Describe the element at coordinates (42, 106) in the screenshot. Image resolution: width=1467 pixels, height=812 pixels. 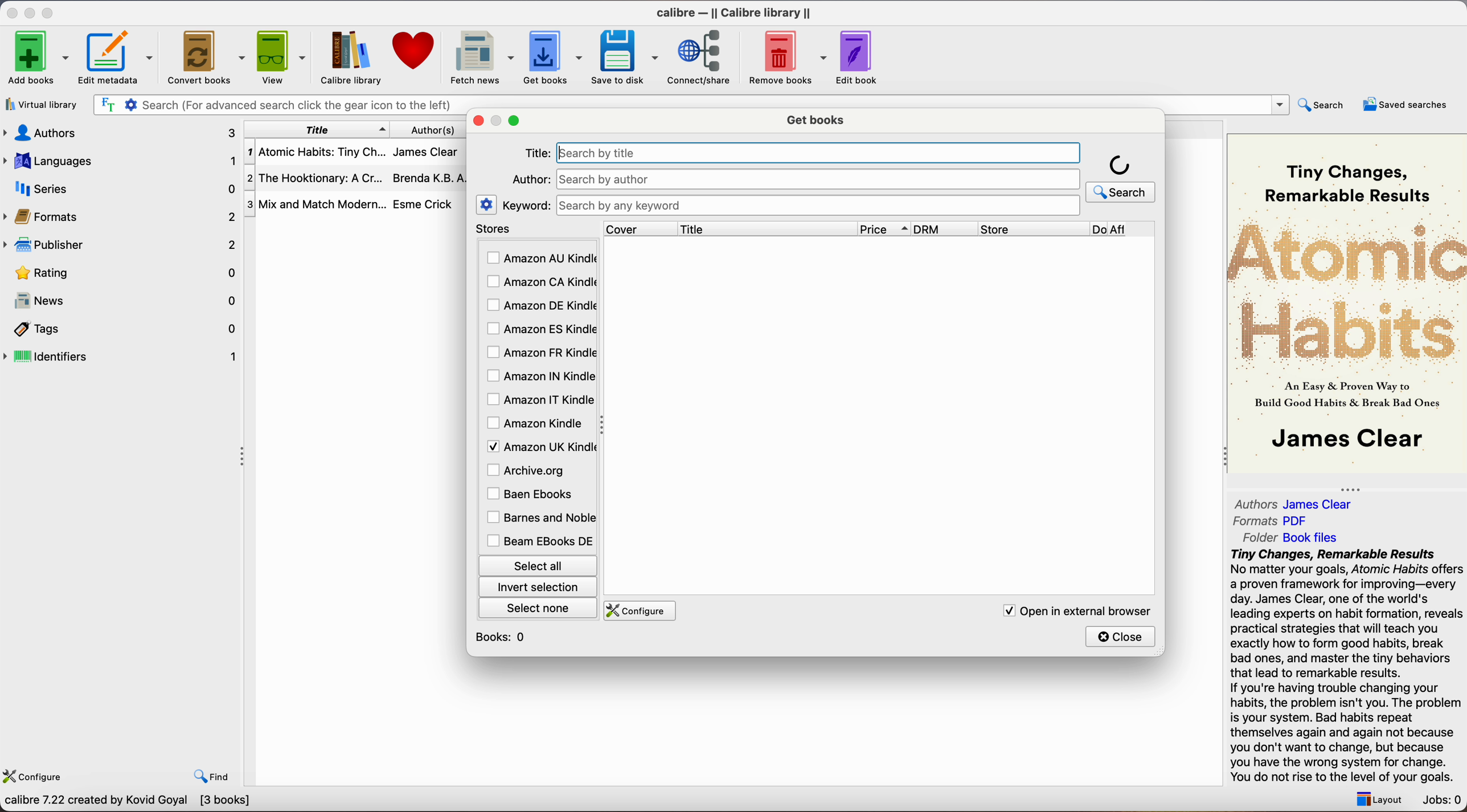
I see `virtual library` at that location.